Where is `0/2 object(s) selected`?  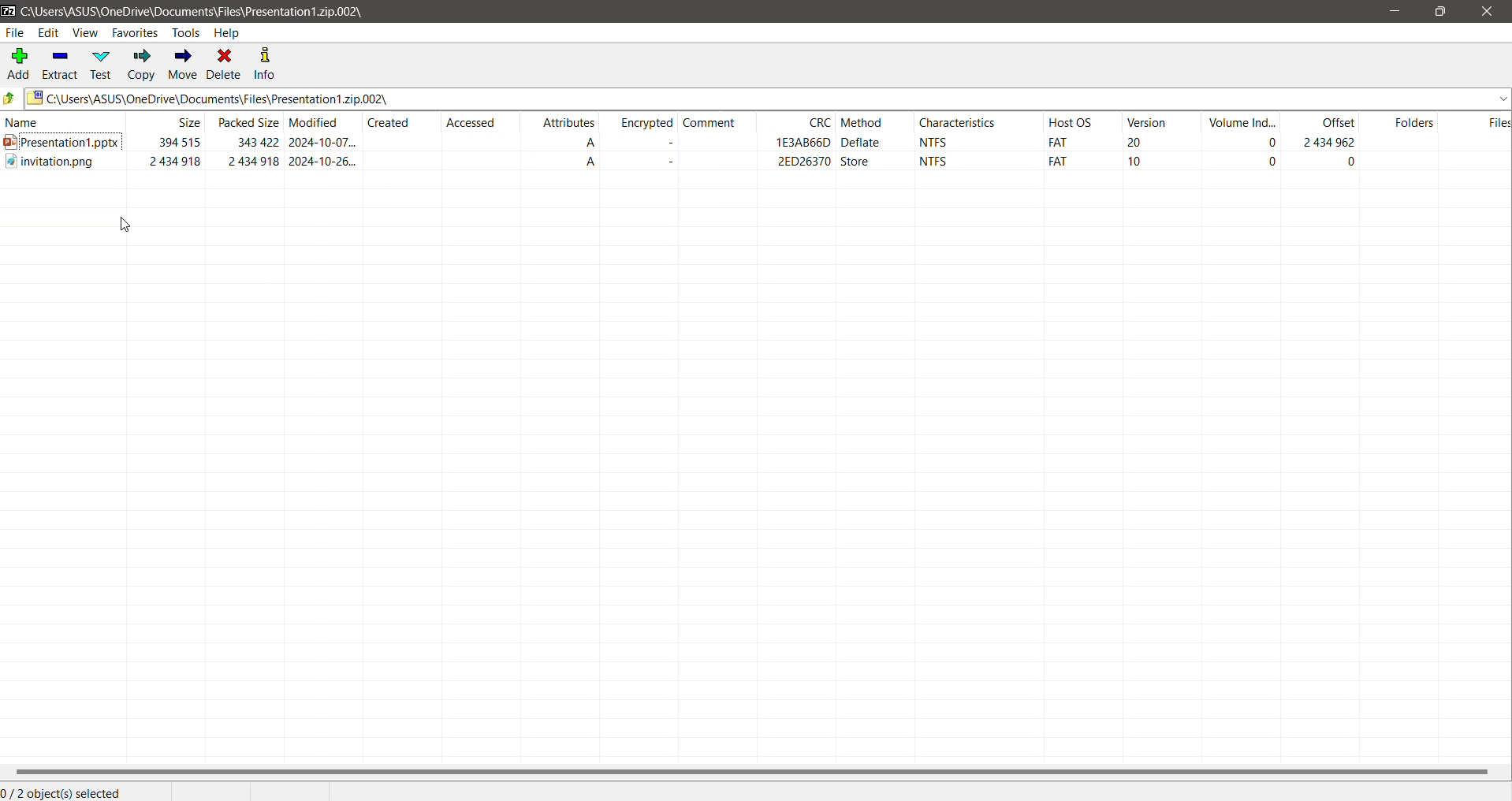
0/2 object(s) selected is located at coordinates (66, 793).